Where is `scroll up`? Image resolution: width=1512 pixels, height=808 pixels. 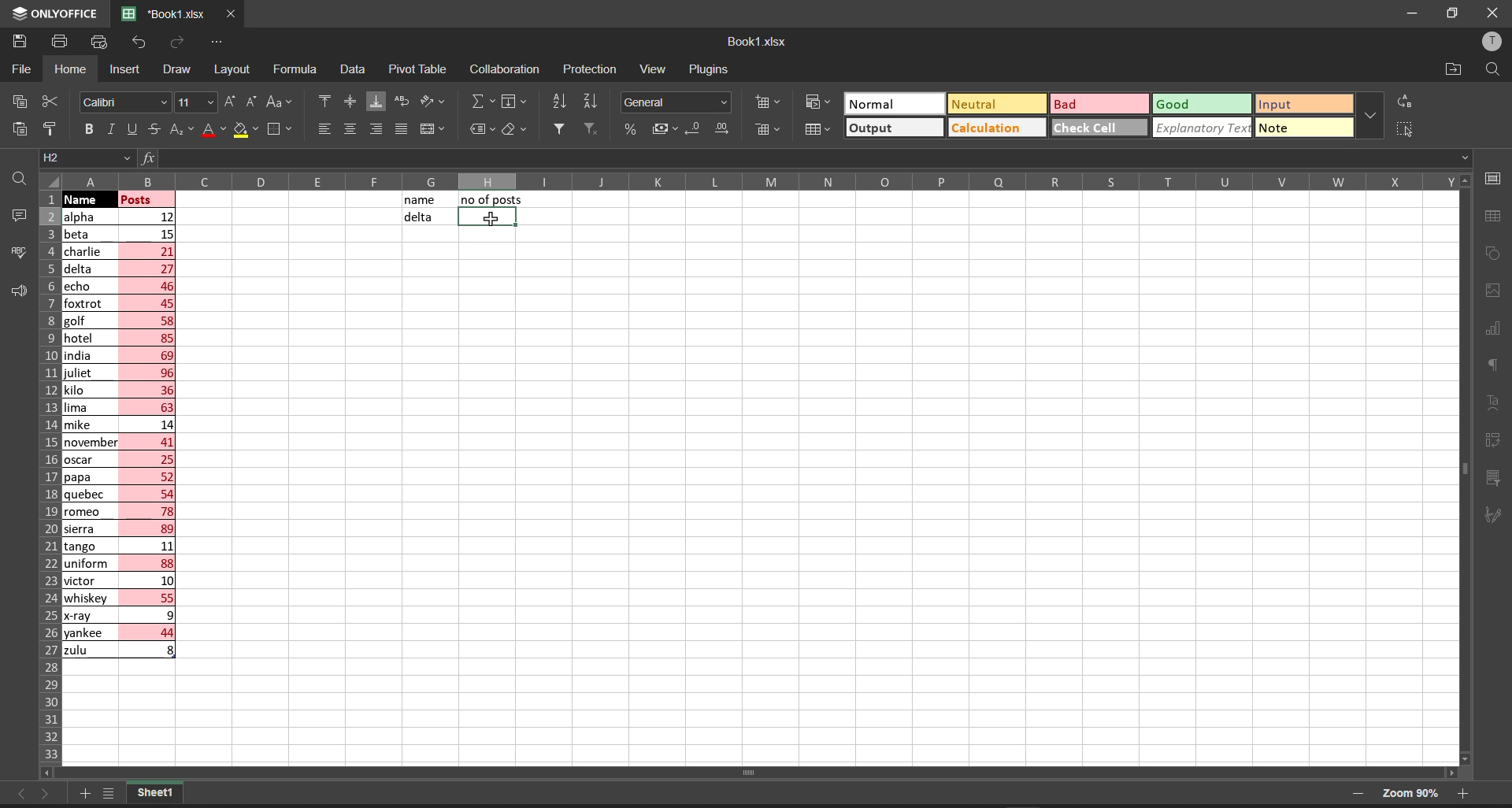
scroll up is located at coordinates (1461, 180).